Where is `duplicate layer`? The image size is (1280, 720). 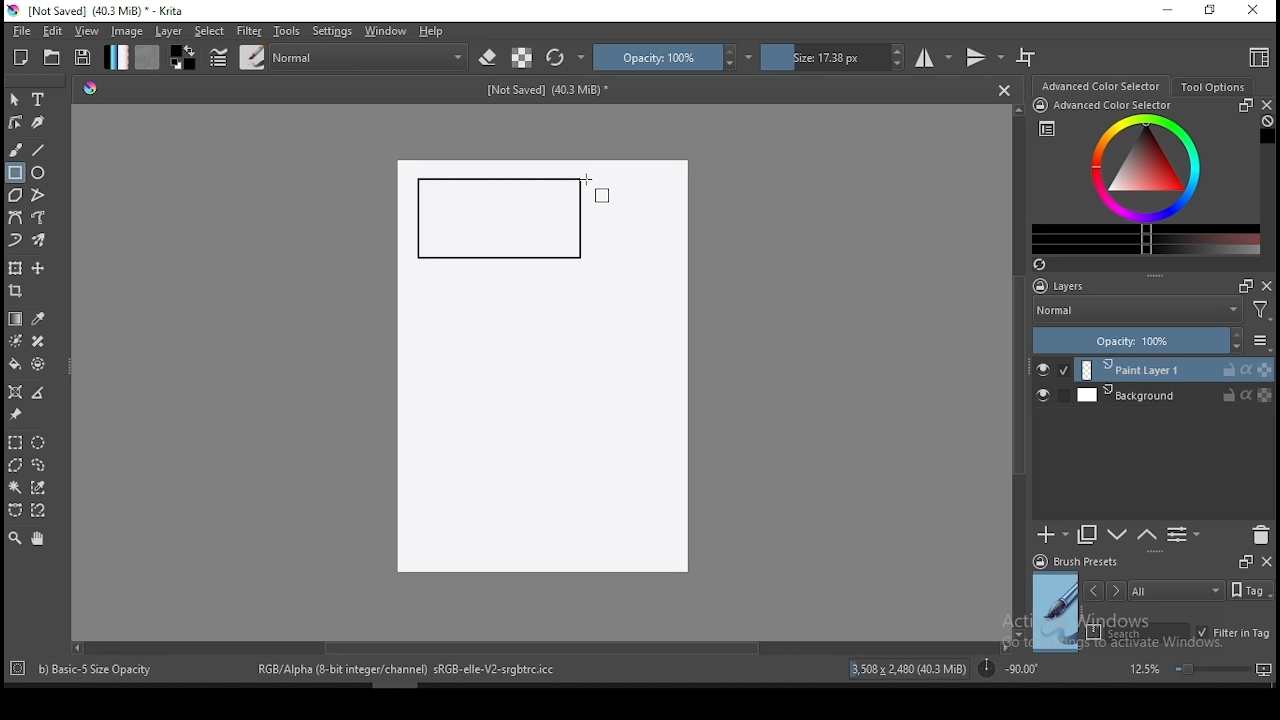 duplicate layer is located at coordinates (1088, 534).